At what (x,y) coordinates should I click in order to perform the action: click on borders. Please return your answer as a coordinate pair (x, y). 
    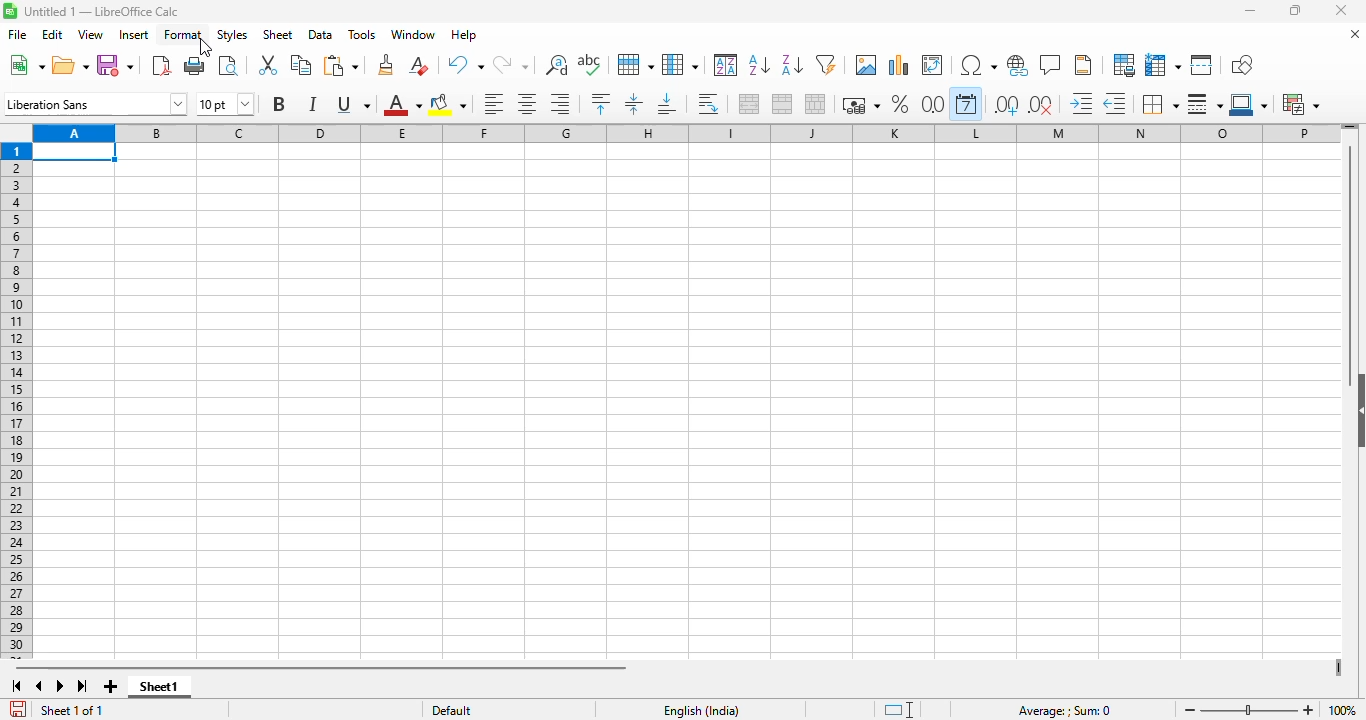
    Looking at the image, I should click on (1159, 104).